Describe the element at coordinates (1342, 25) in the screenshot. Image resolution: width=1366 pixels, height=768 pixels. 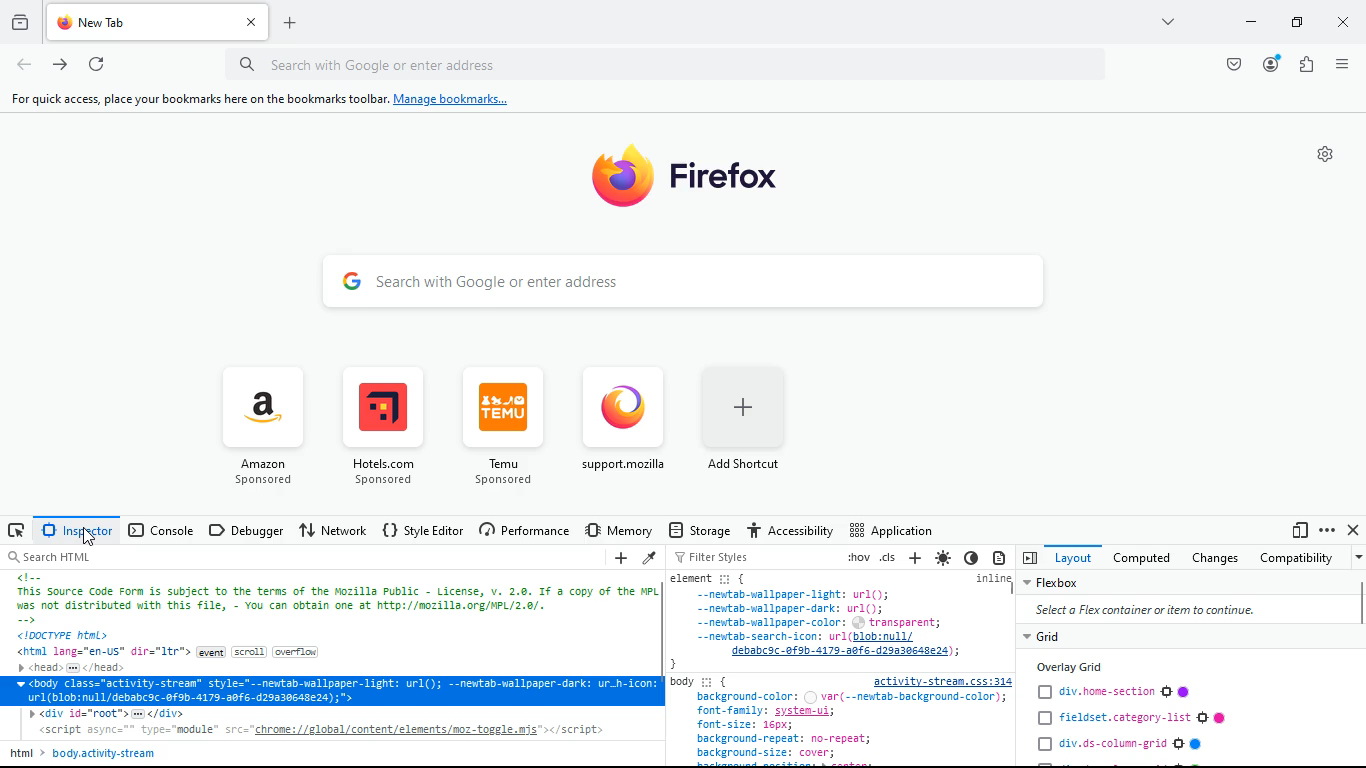
I see `close` at that location.